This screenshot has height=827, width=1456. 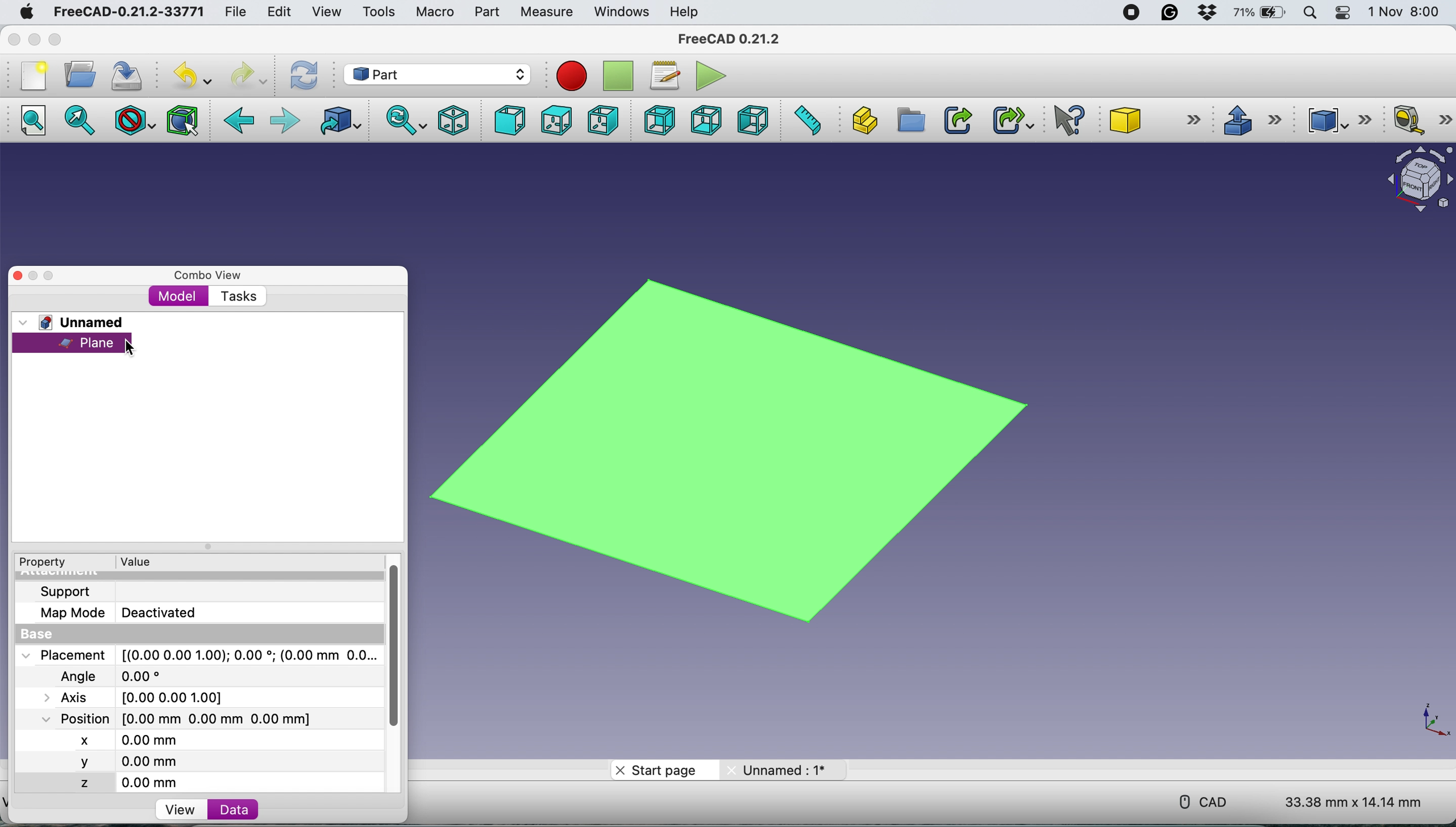 What do you see at coordinates (685, 12) in the screenshot?
I see `help` at bounding box center [685, 12].